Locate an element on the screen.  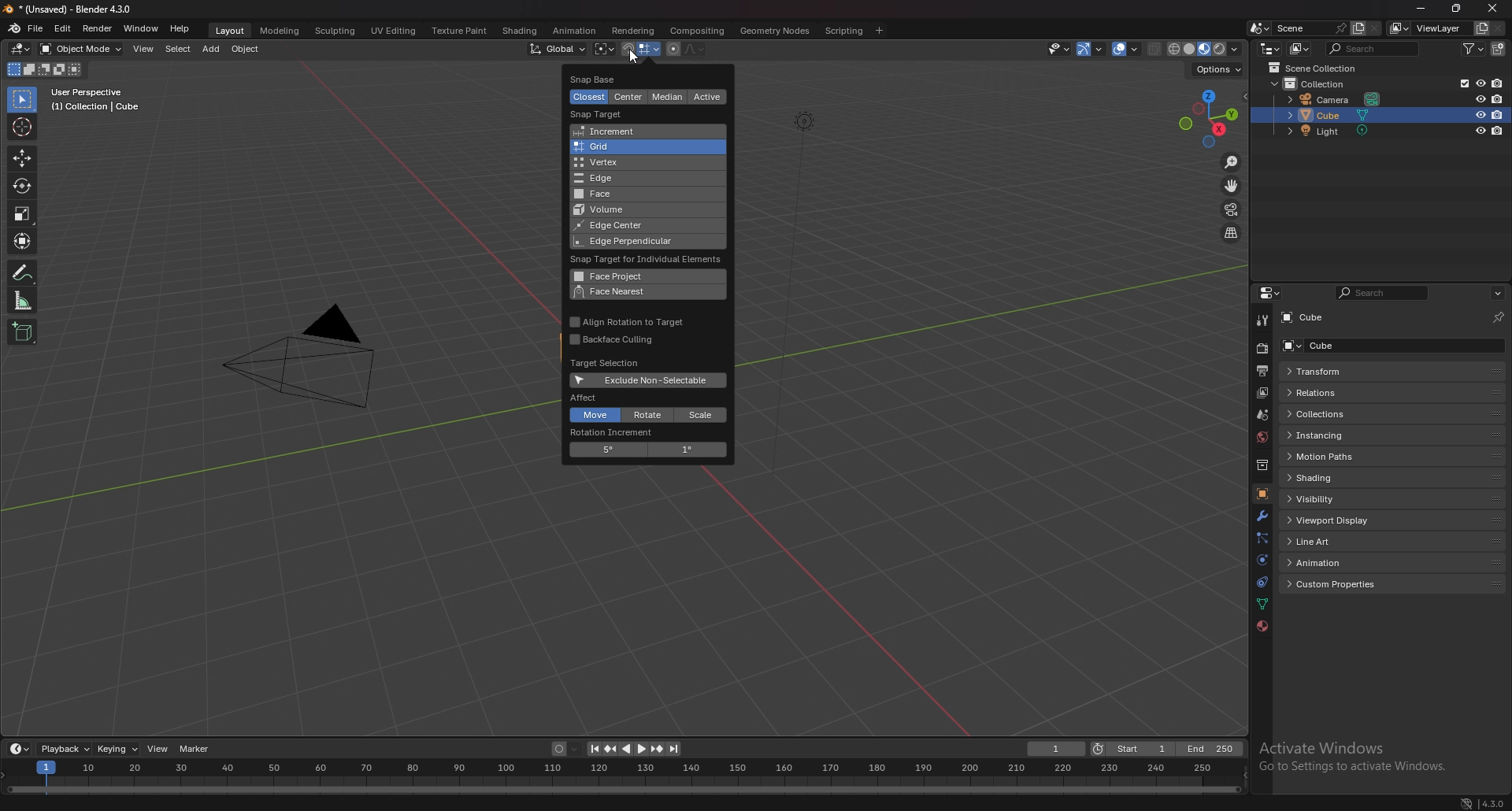
camera is located at coordinates (1336, 100).